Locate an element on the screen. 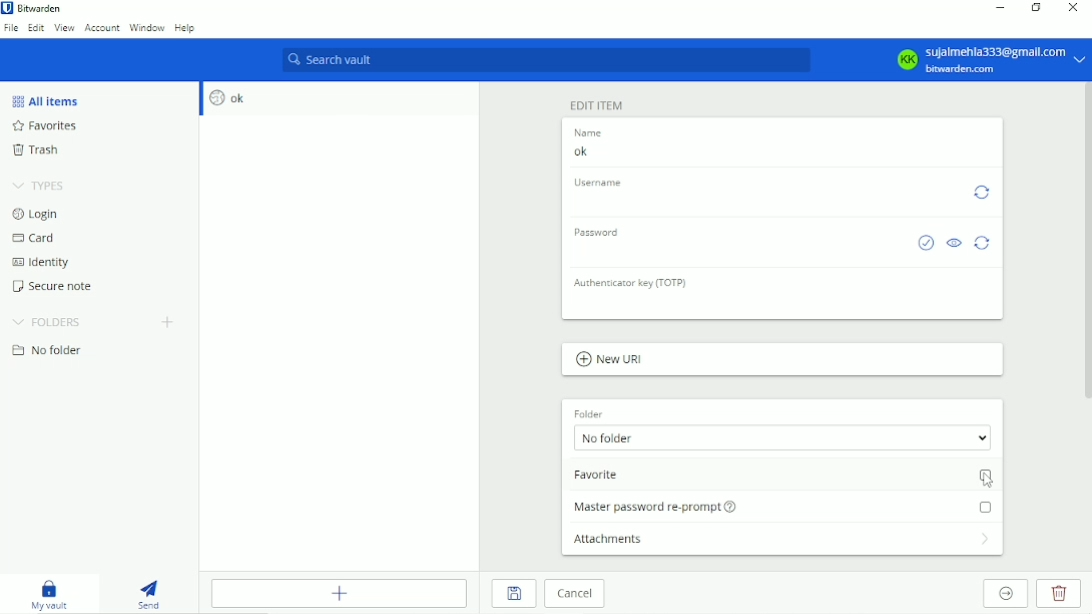  scrollbar is located at coordinates (1087, 241).